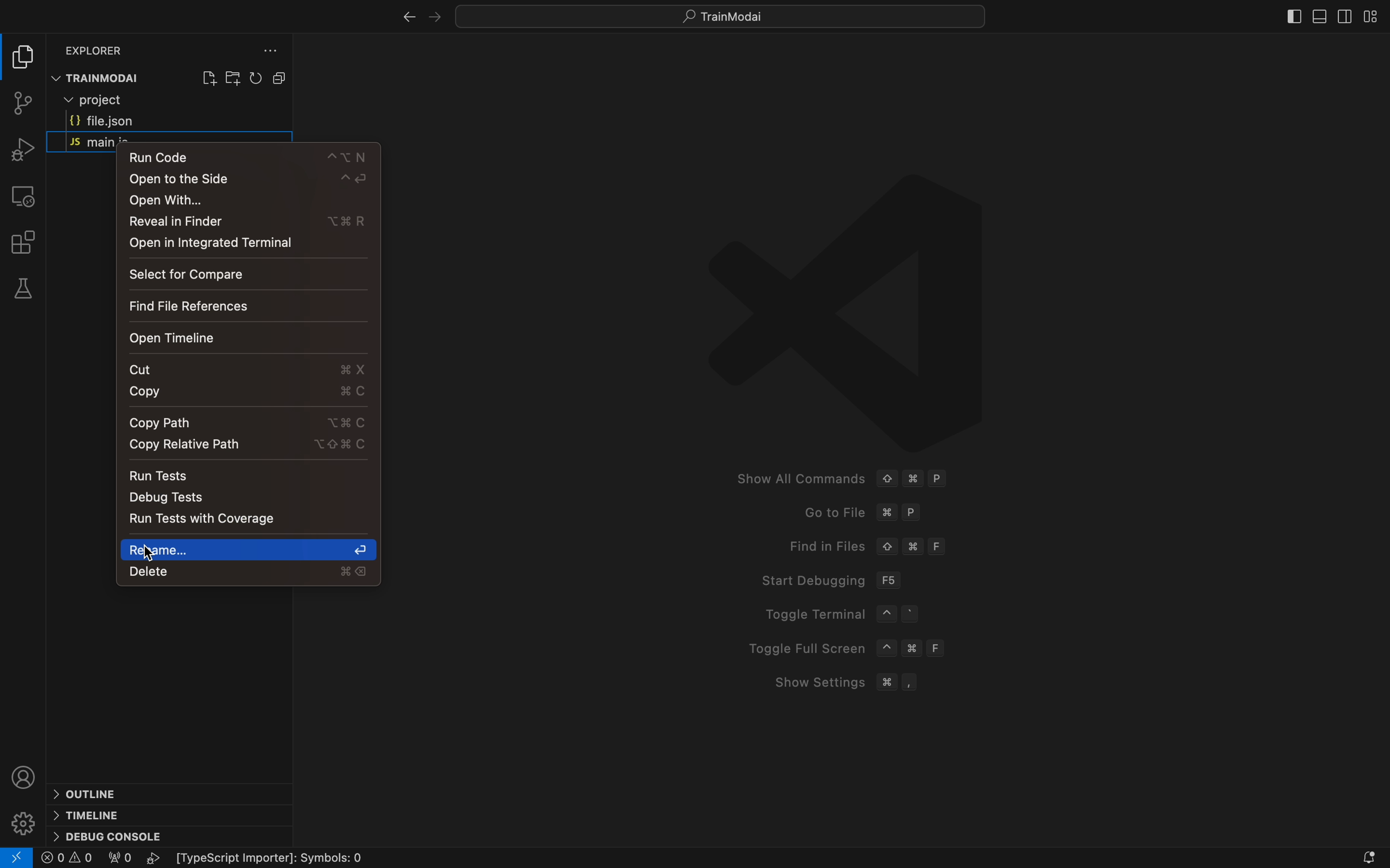 Image resolution: width=1390 pixels, height=868 pixels. Describe the element at coordinates (249, 220) in the screenshot. I see `reveal in finder` at that location.